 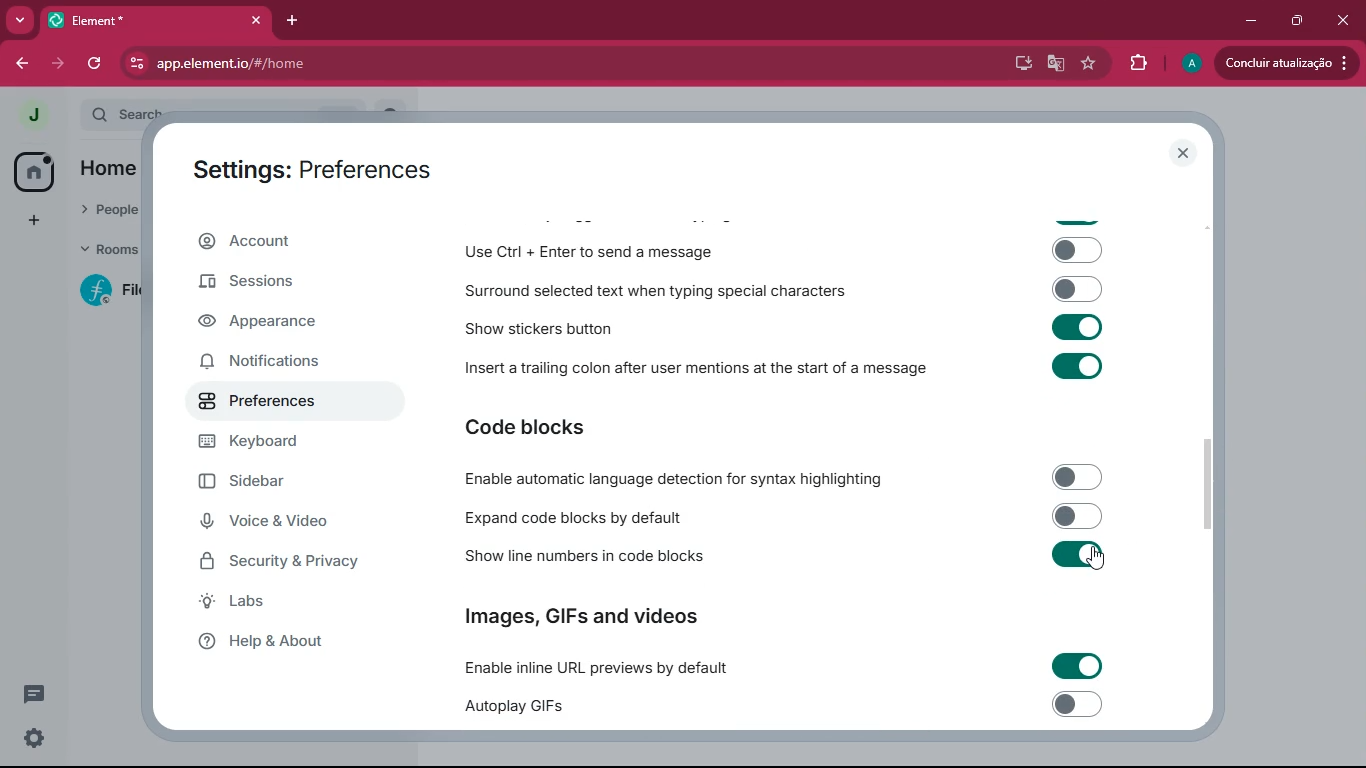 What do you see at coordinates (1213, 483) in the screenshot?
I see `scroll bar ` at bounding box center [1213, 483].